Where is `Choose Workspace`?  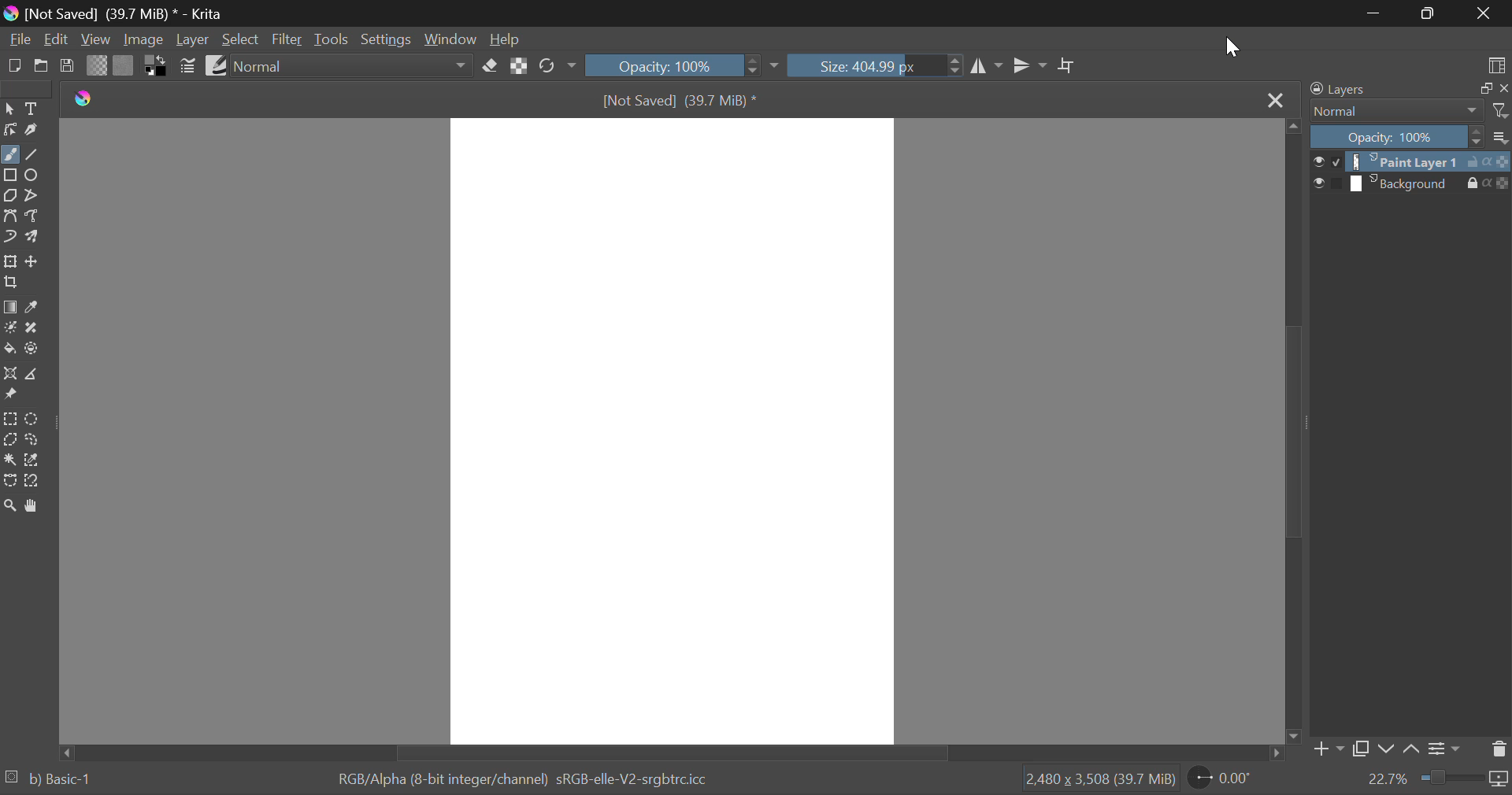
Choose Workspace is located at coordinates (1488, 62).